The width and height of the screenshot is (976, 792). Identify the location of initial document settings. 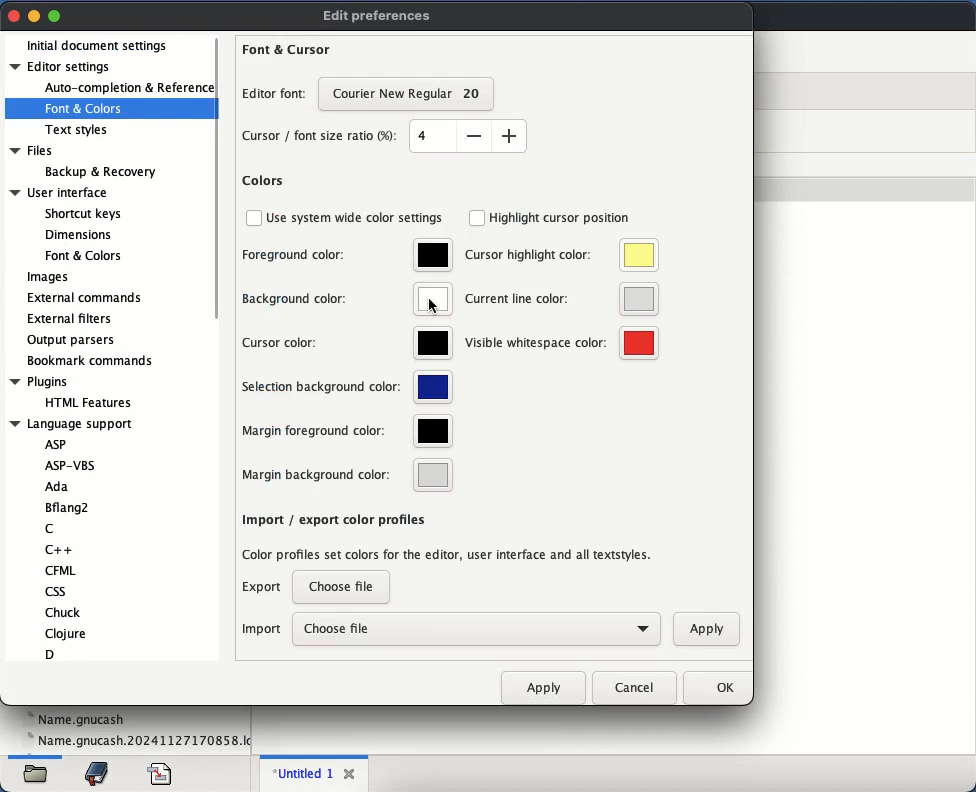
(101, 44).